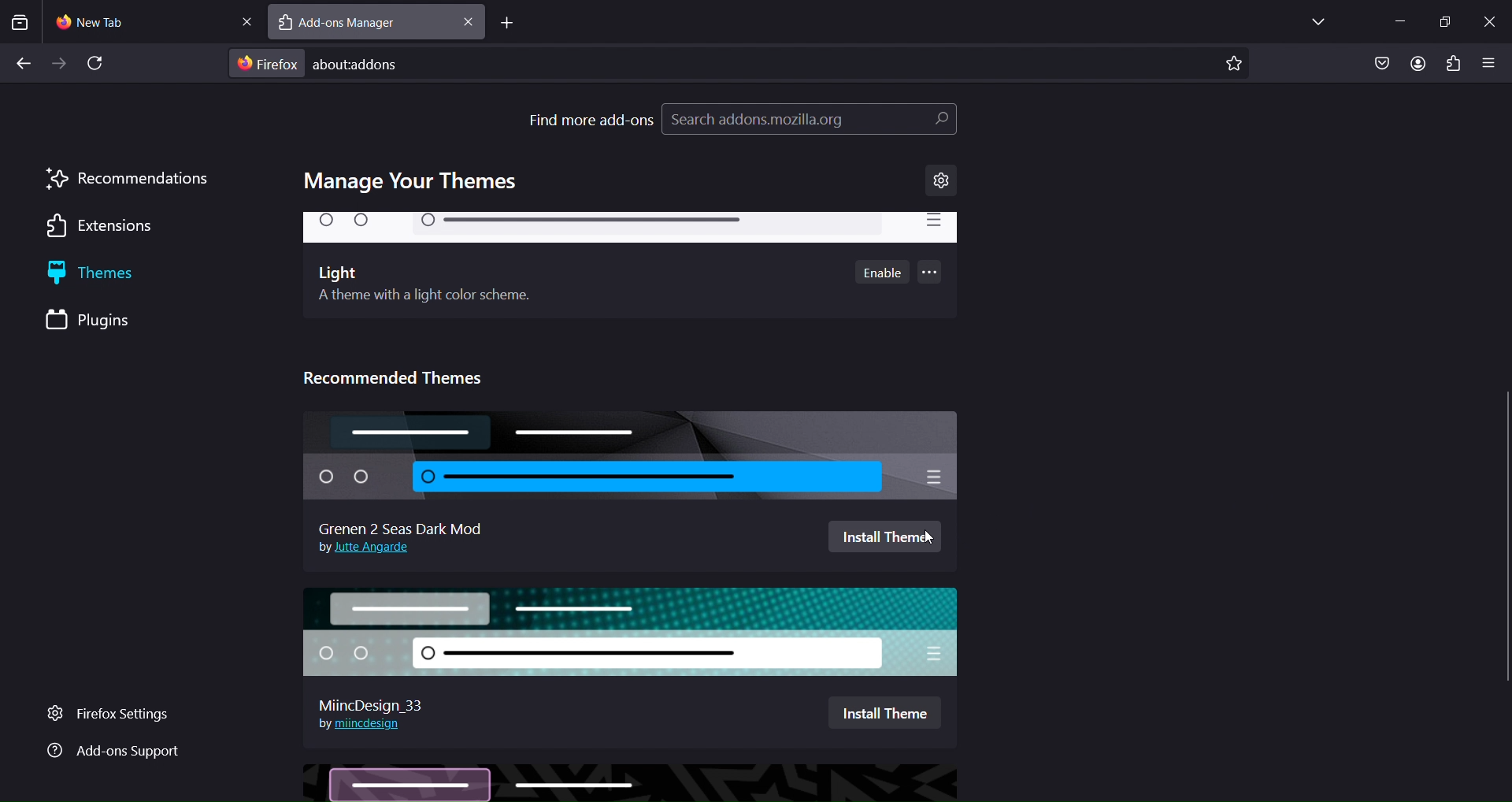 The image size is (1512, 802). What do you see at coordinates (928, 539) in the screenshot?
I see `cursor` at bounding box center [928, 539].